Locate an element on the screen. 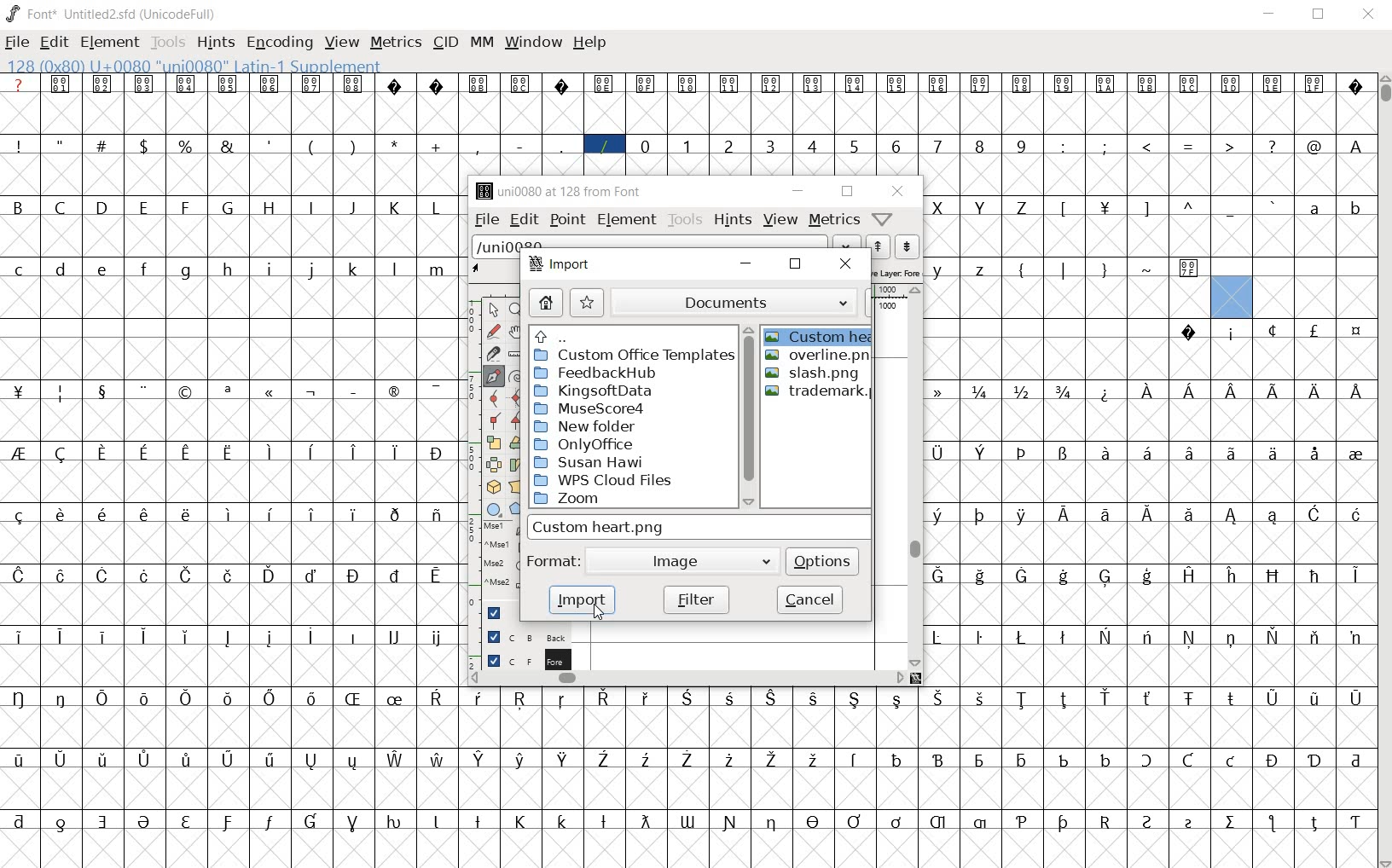  glyph is located at coordinates (1147, 822).